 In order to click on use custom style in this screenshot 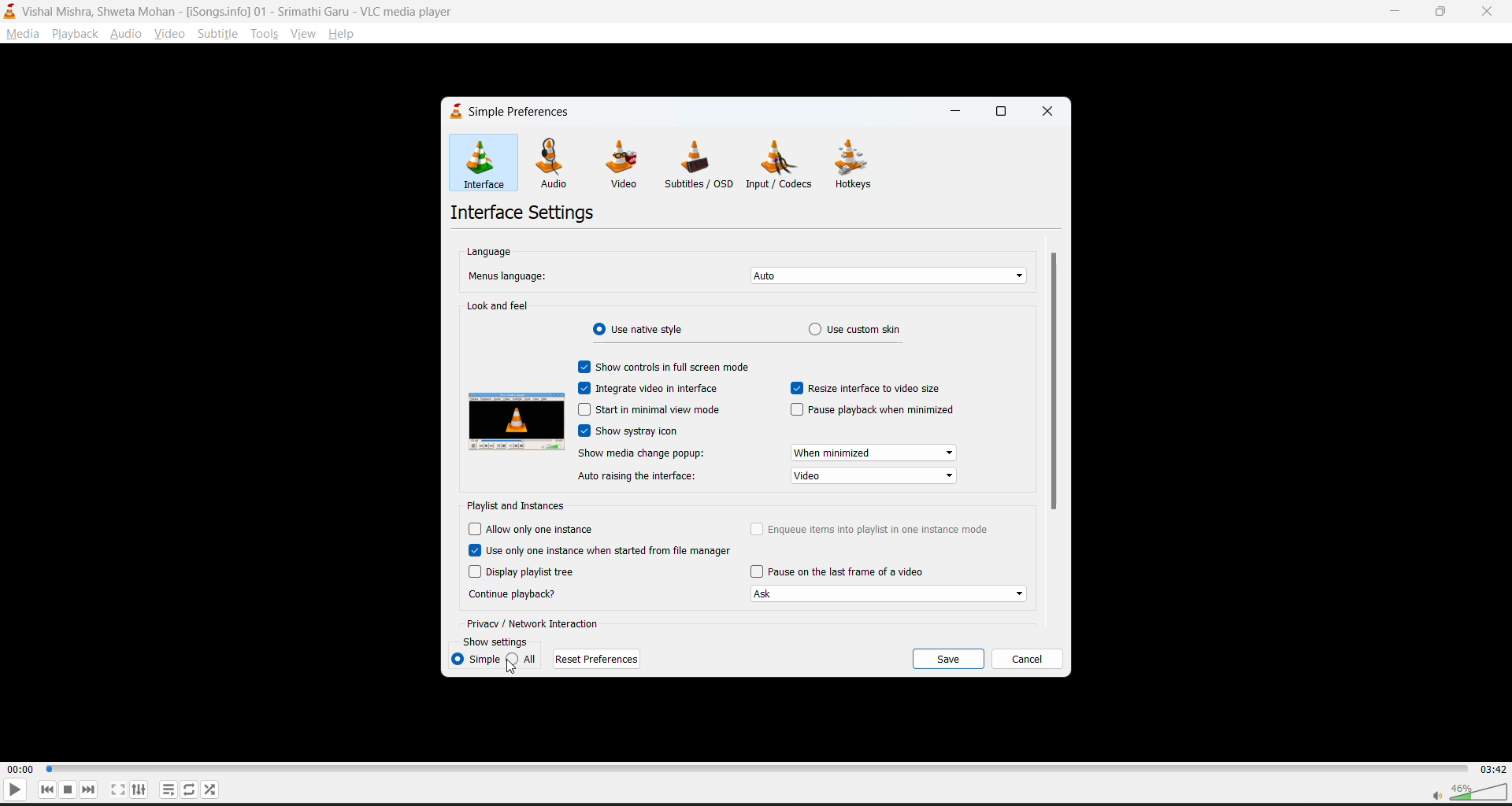, I will do `click(860, 329)`.